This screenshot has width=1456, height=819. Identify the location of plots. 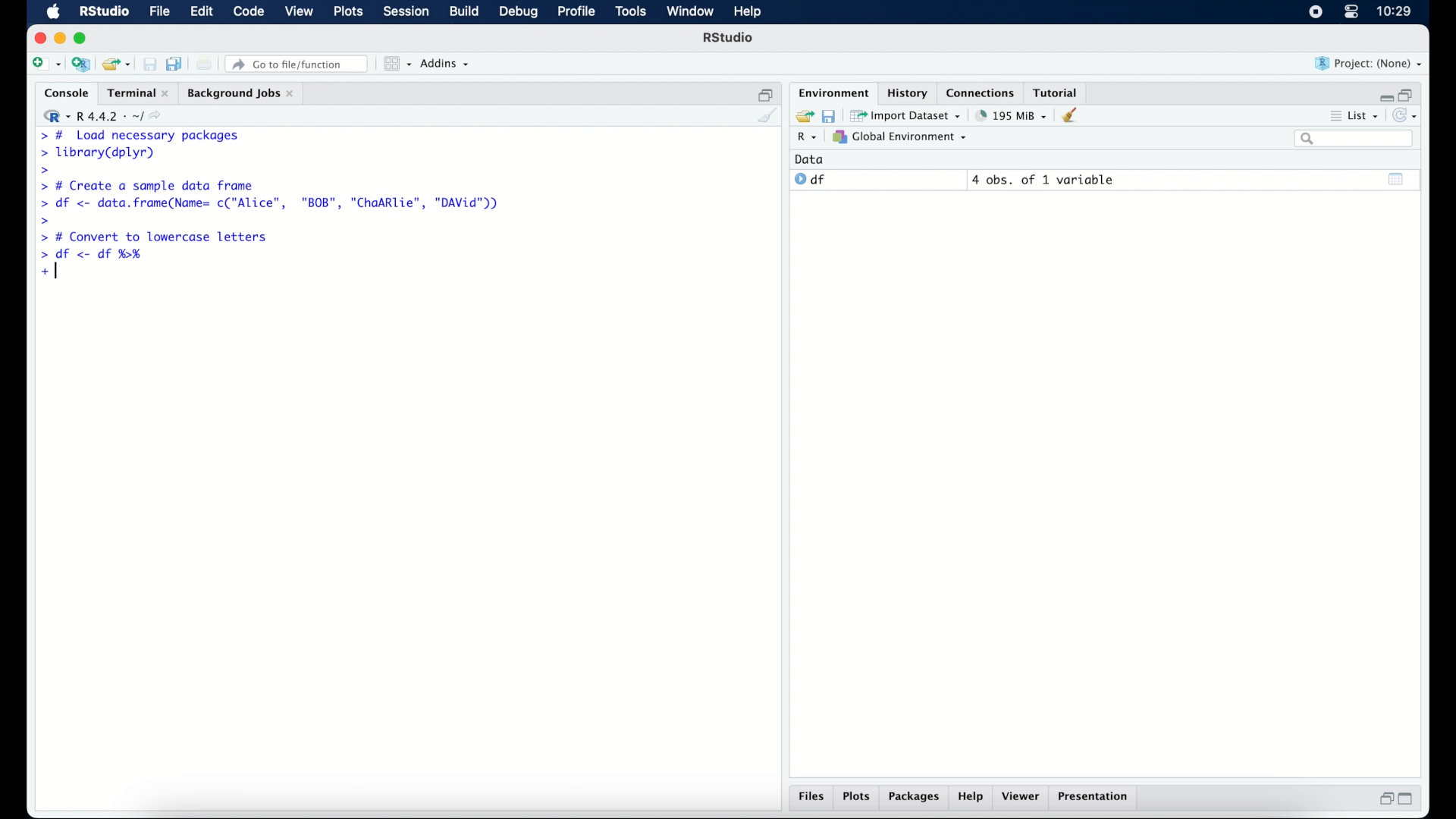
(350, 13).